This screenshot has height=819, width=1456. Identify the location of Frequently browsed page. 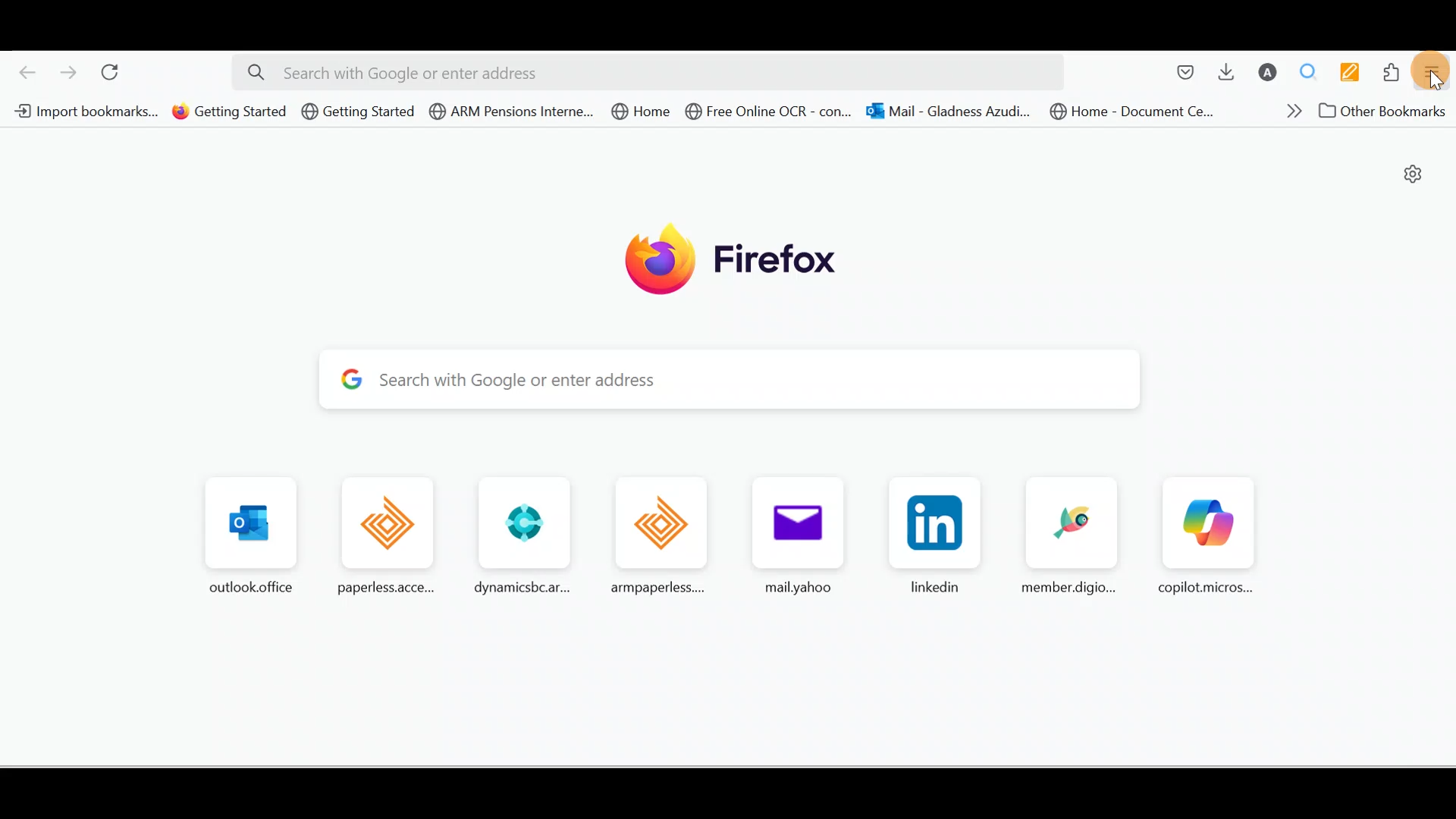
(1068, 536).